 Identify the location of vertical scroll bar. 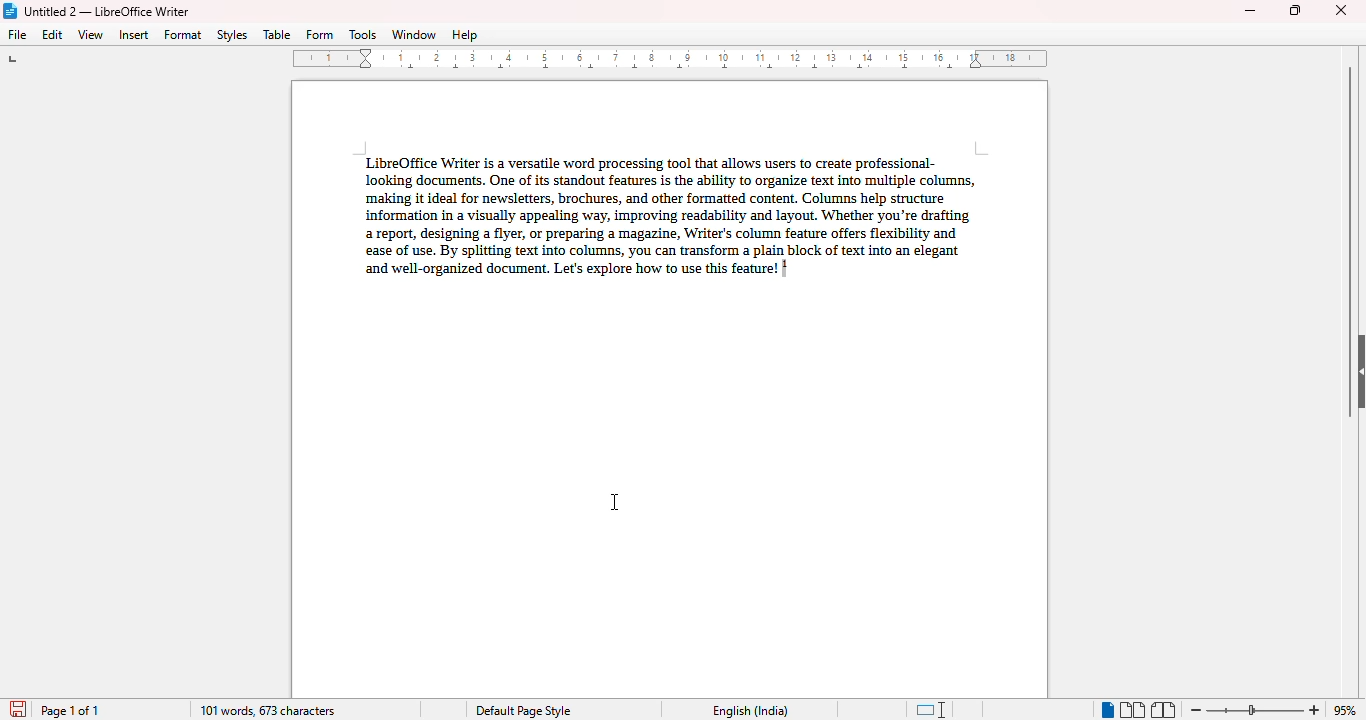
(1351, 241).